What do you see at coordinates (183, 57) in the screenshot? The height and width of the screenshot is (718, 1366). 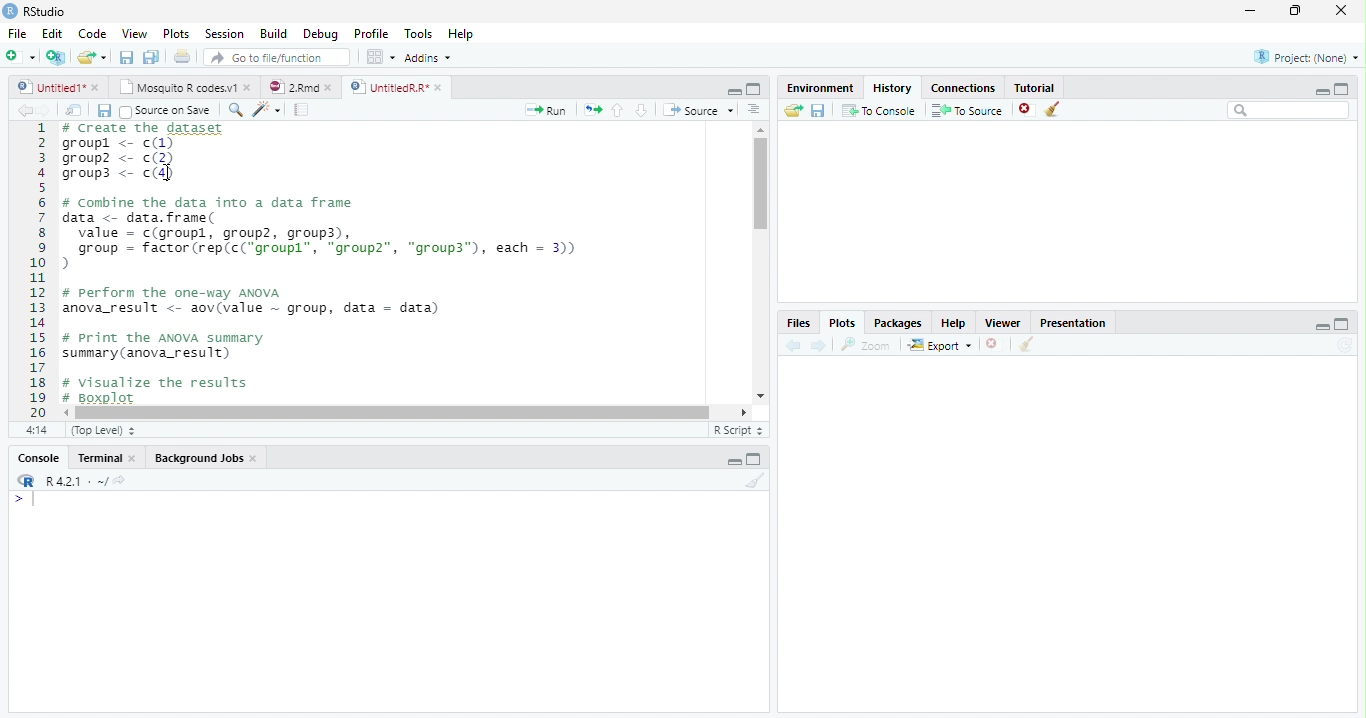 I see `Print  the current file` at bounding box center [183, 57].